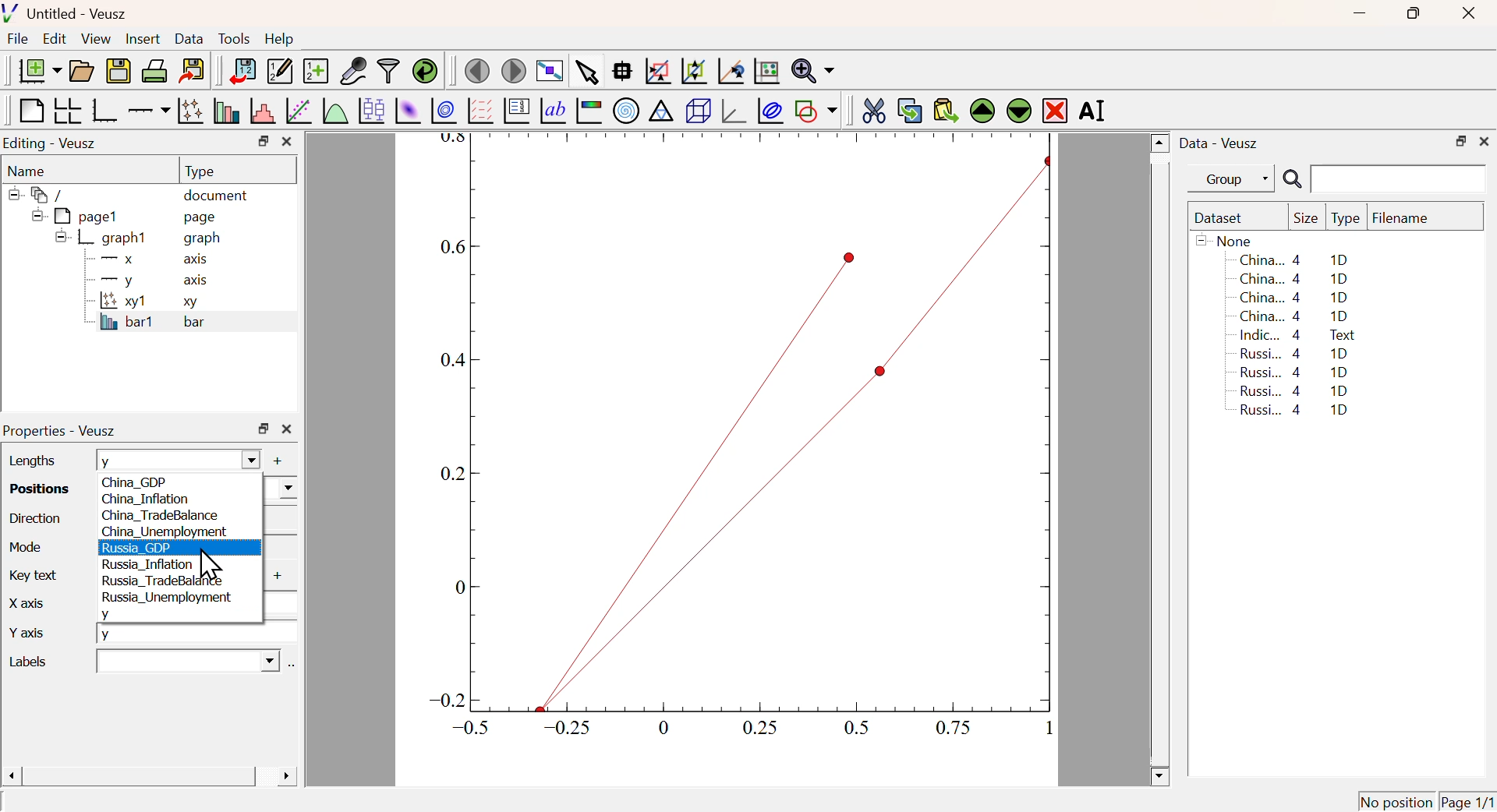 This screenshot has width=1497, height=812. Describe the element at coordinates (147, 280) in the screenshot. I see `y axis` at that location.